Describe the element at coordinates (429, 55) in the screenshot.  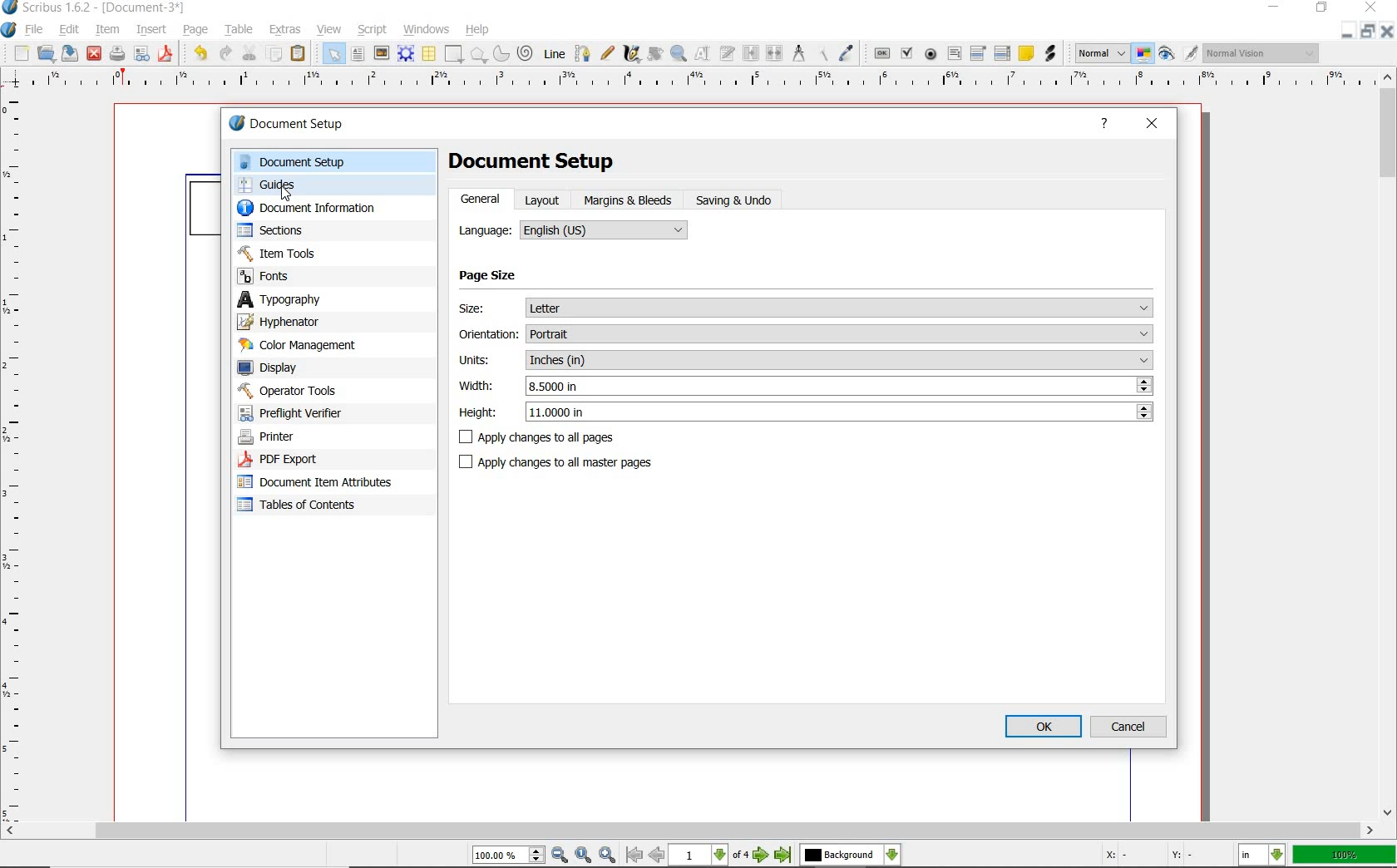
I see `table` at that location.